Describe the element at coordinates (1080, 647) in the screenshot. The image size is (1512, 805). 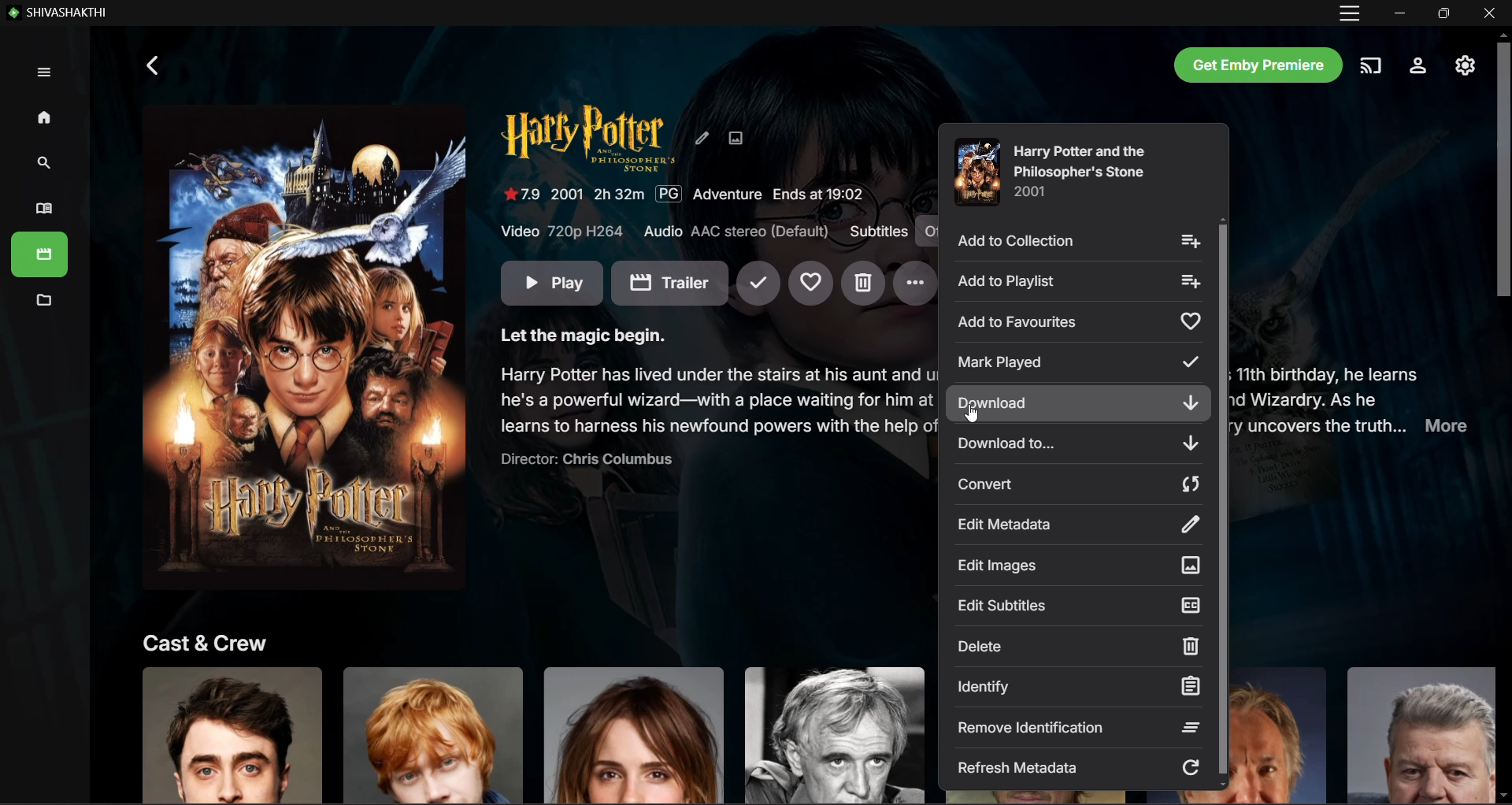
I see `Delete` at that location.